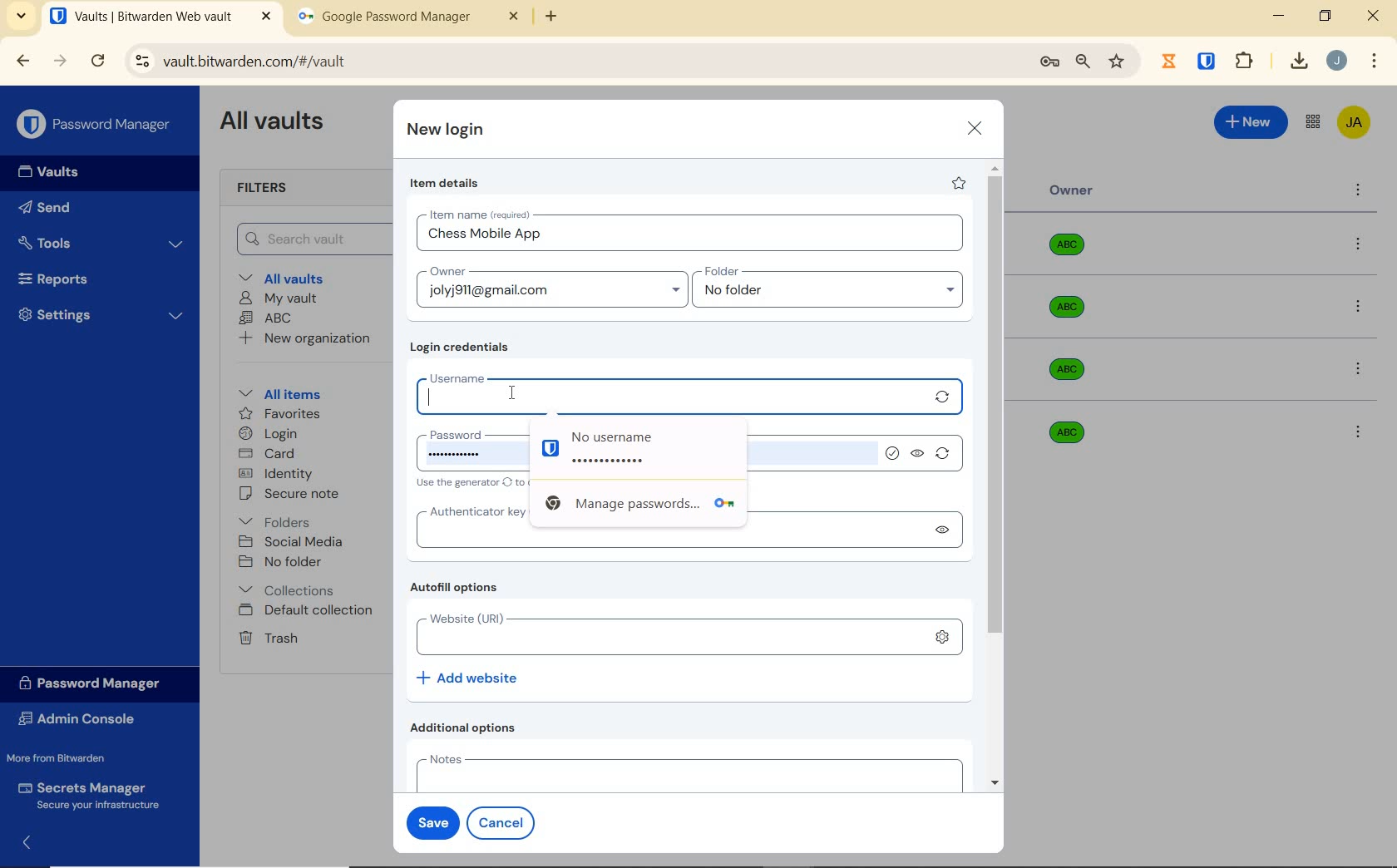 This screenshot has width=1397, height=868. I want to click on forward, so click(61, 61).